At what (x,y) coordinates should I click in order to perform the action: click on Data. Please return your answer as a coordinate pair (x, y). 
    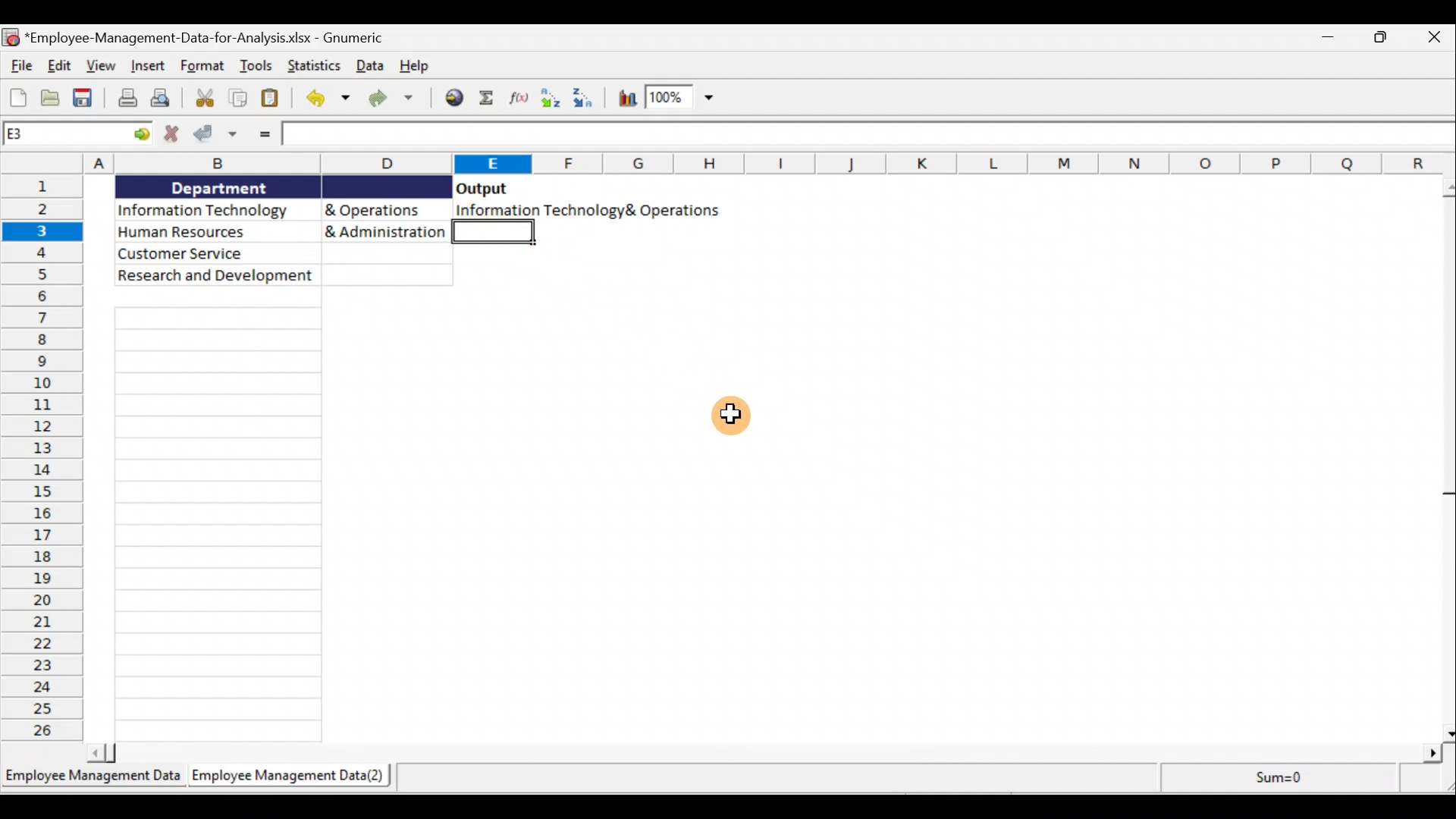
    Looking at the image, I should click on (370, 67).